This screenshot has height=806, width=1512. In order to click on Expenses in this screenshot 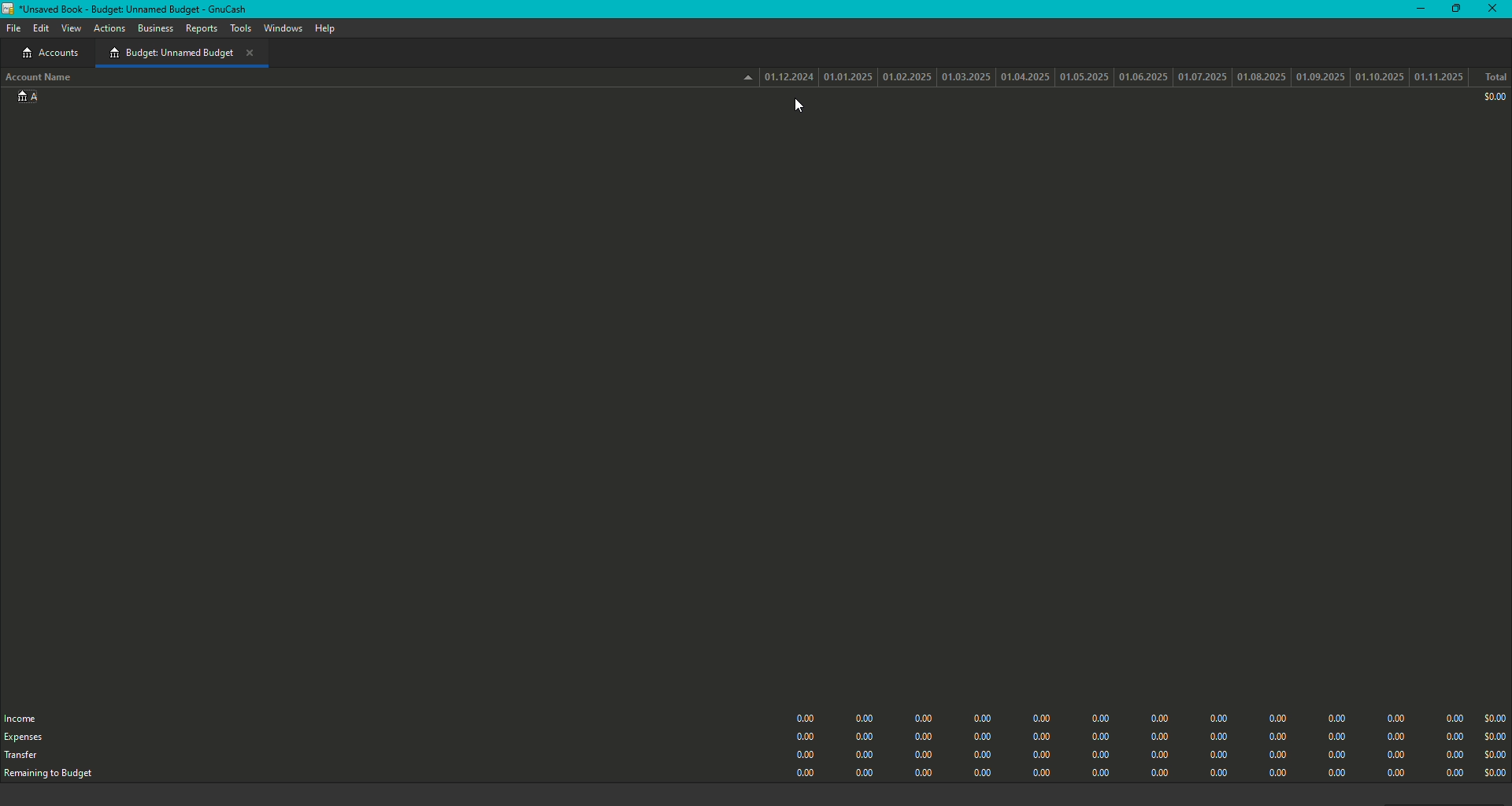, I will do `click(24, 738)`.